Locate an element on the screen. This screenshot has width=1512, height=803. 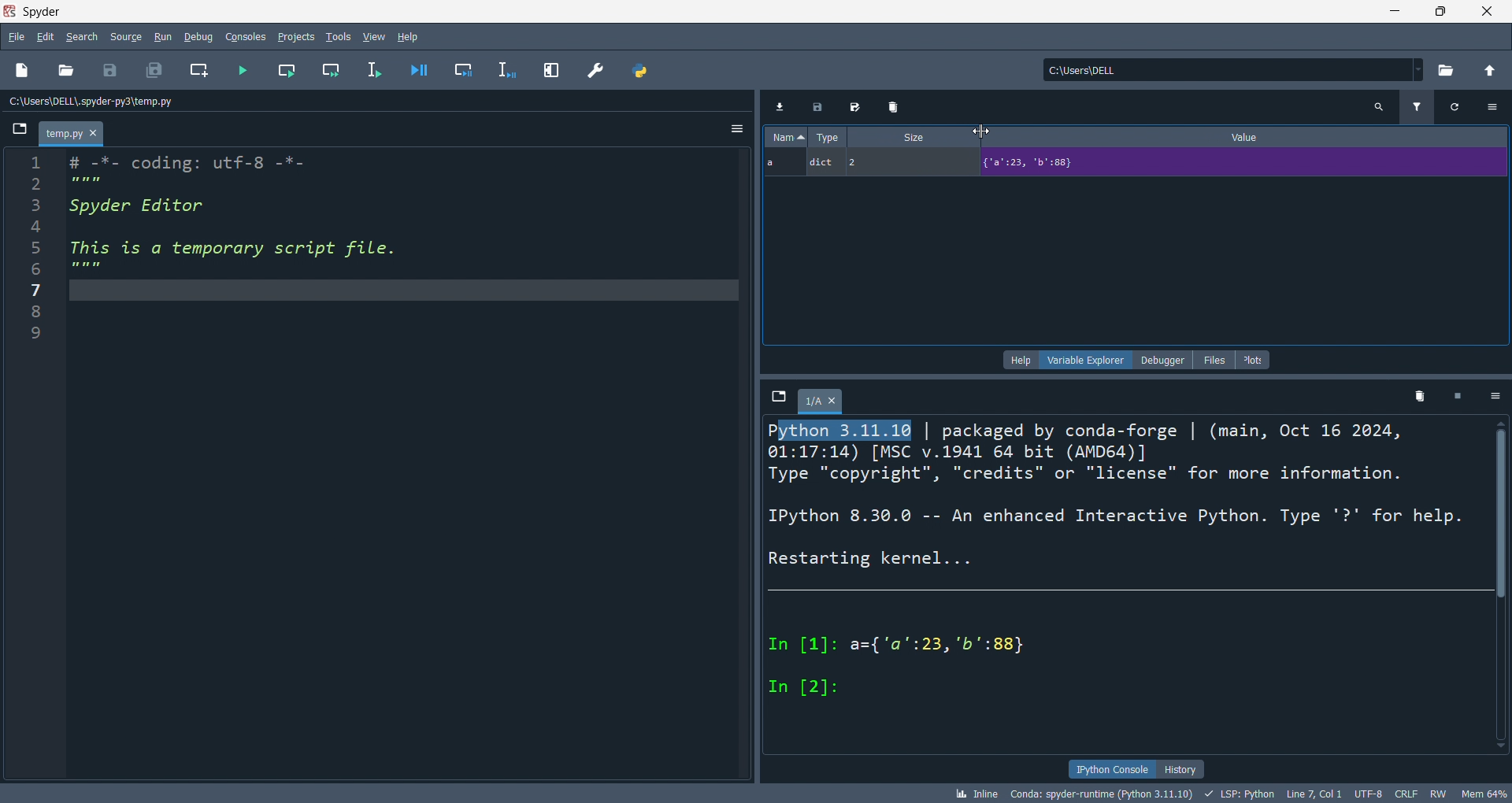
view is located at coordinates (372, 35).